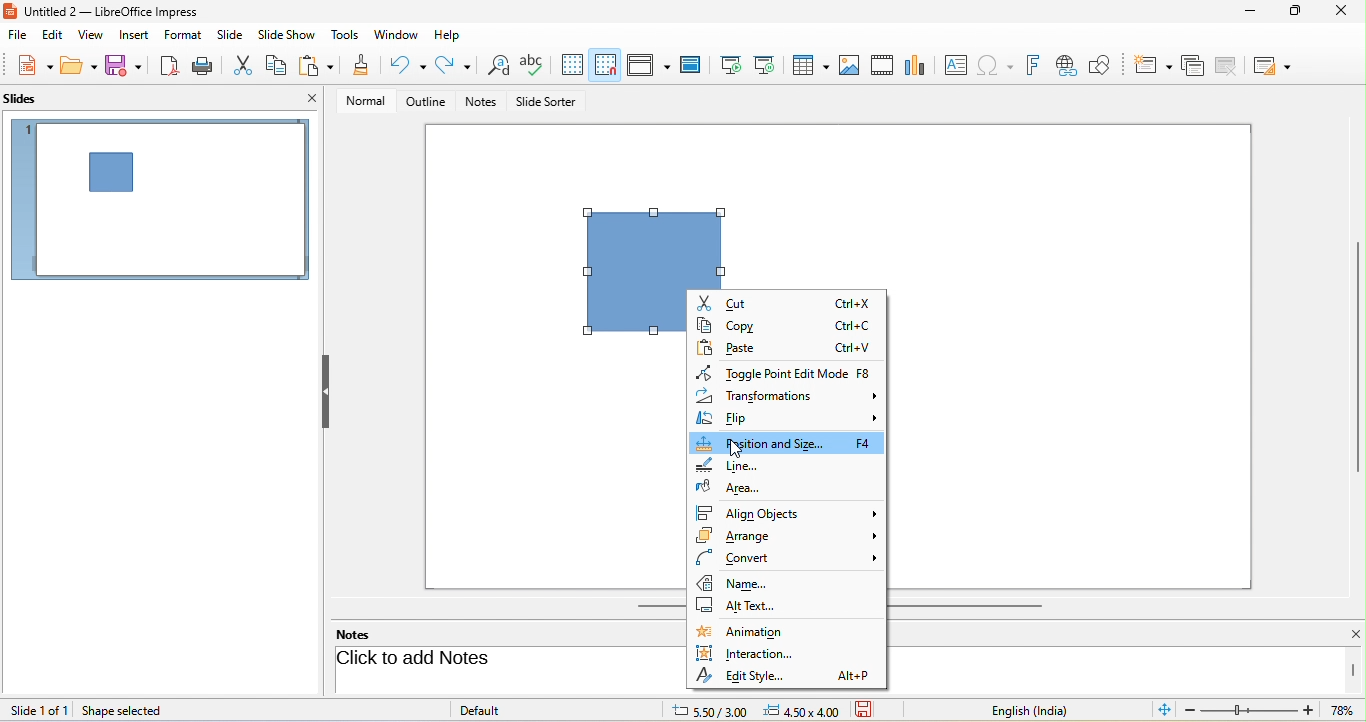 The width and height of the screenshot is (1366, 722). Describe the element at coordinates (744, 632) in the screenshot. I see `animation` at that location.